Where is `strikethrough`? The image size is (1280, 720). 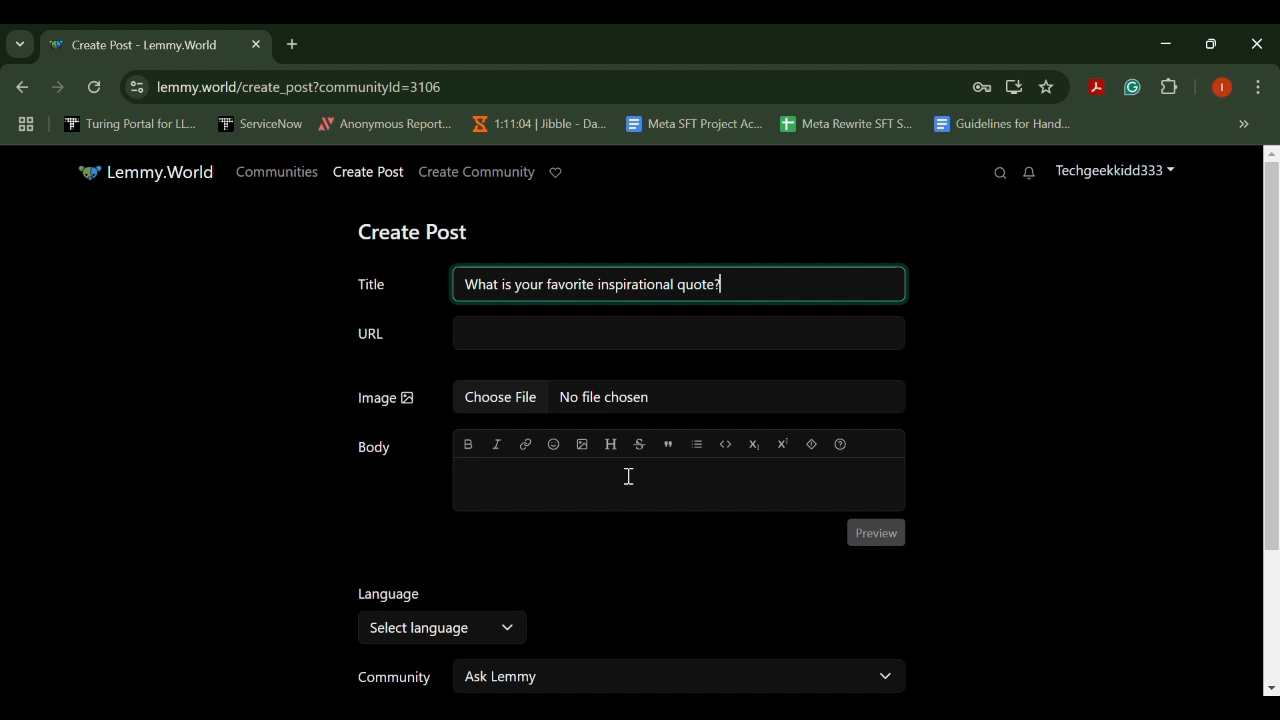 strikethrough is located at coordinates (639, 443).